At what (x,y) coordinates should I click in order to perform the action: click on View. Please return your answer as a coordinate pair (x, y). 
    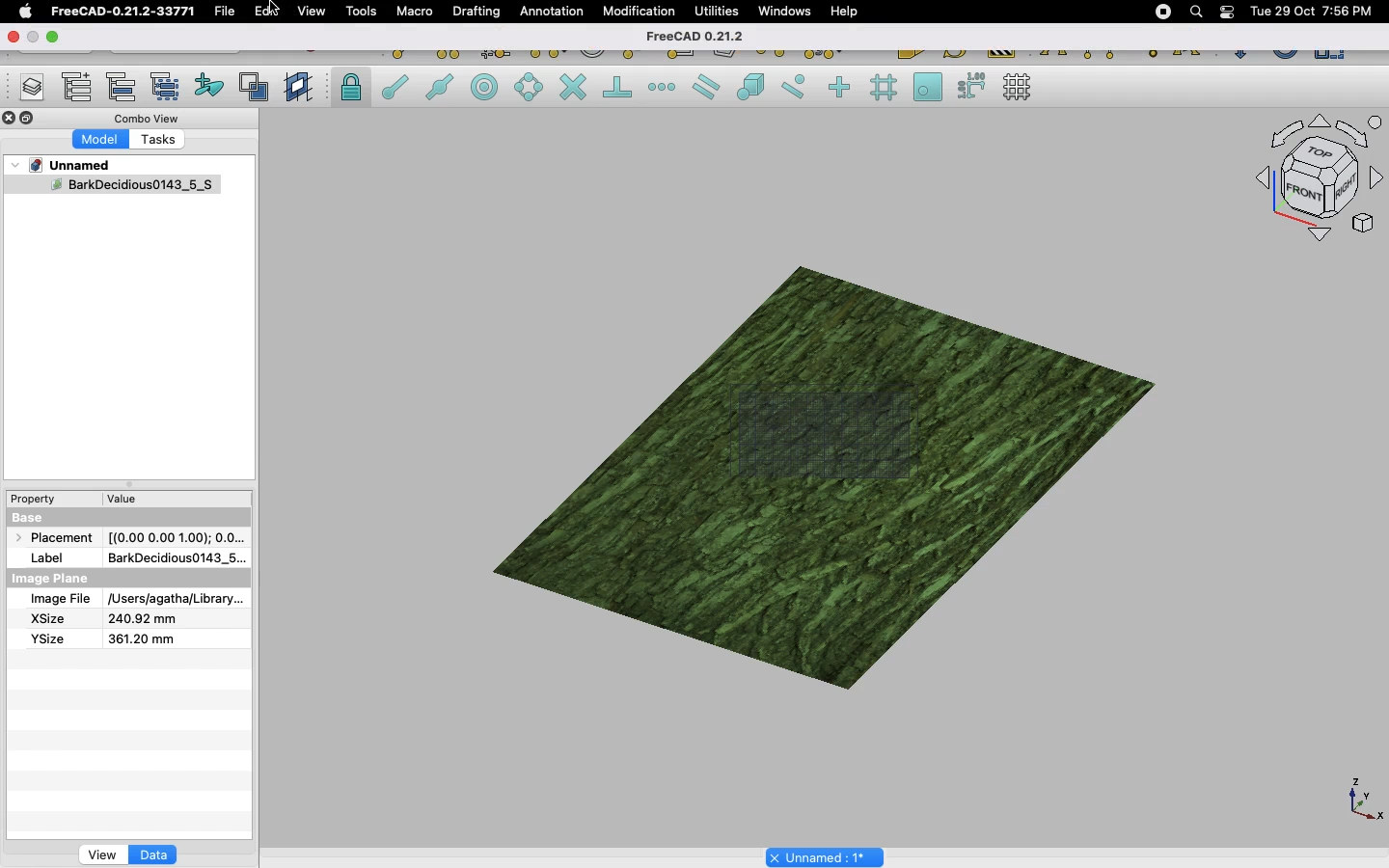
    Looking at the image, I should click on (312, 10).